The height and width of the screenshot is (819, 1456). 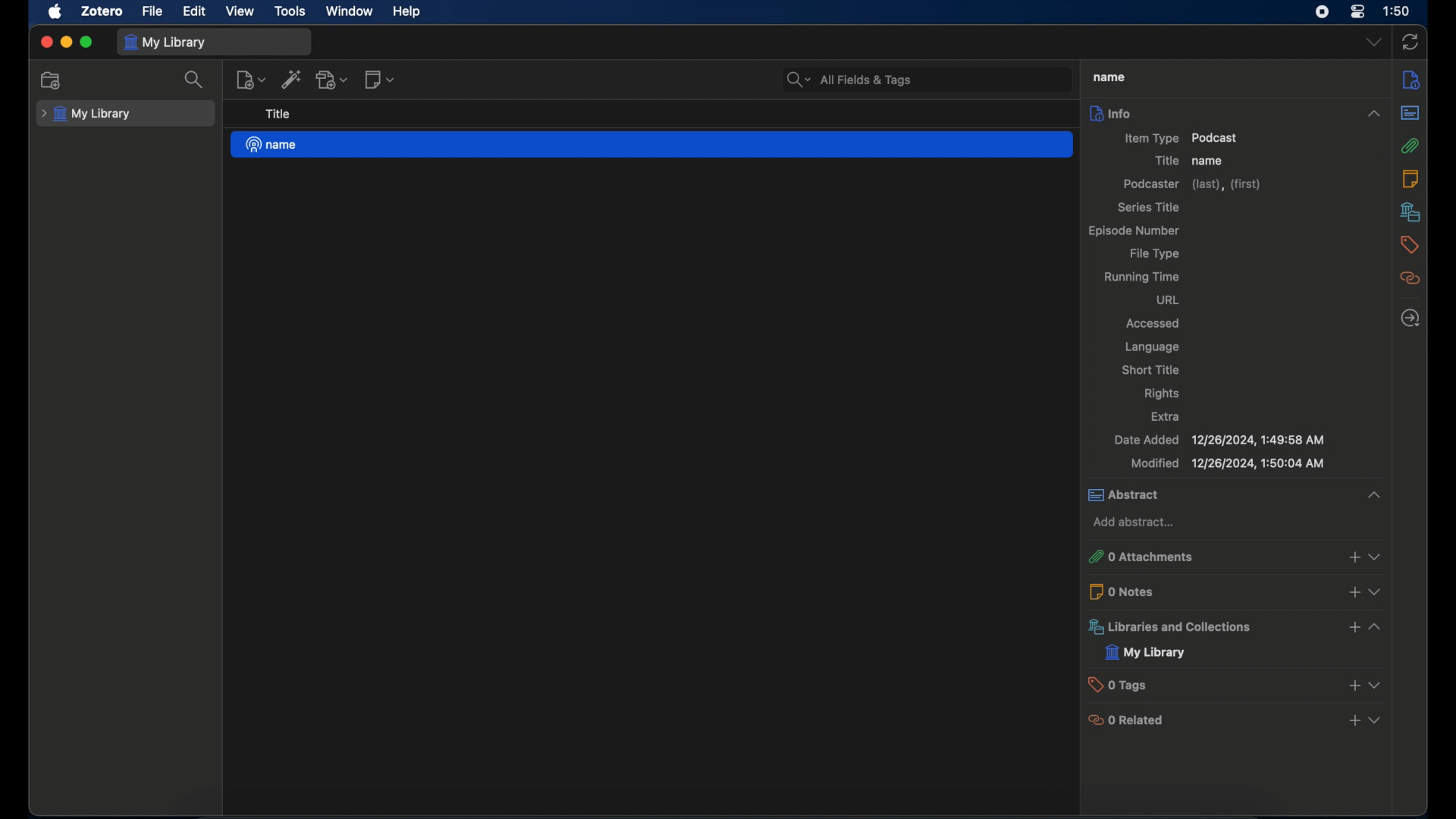 What do you see at coordinates (1410, 245) in the screenshot?
I see `tags` at bounding box center [1410, 245].